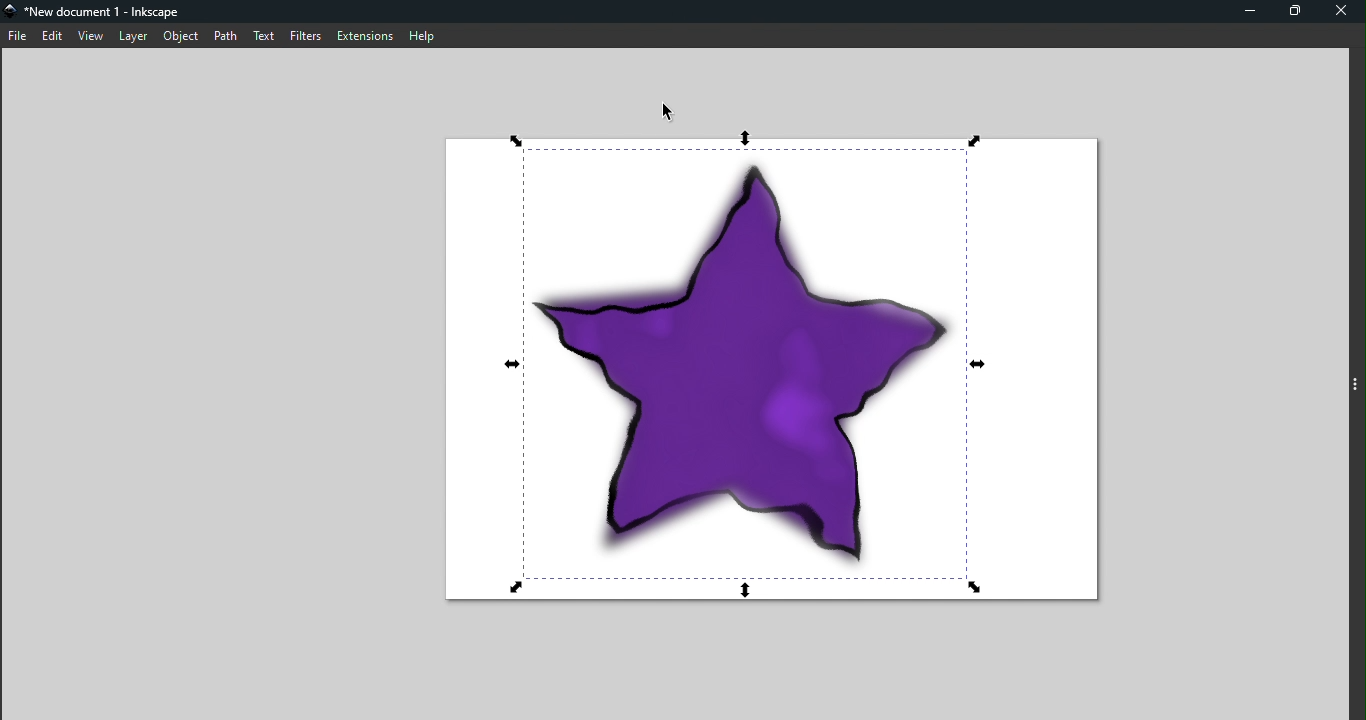 This screenshot has width=1366, height=720. I want to click on Filters, so click(303, 35).